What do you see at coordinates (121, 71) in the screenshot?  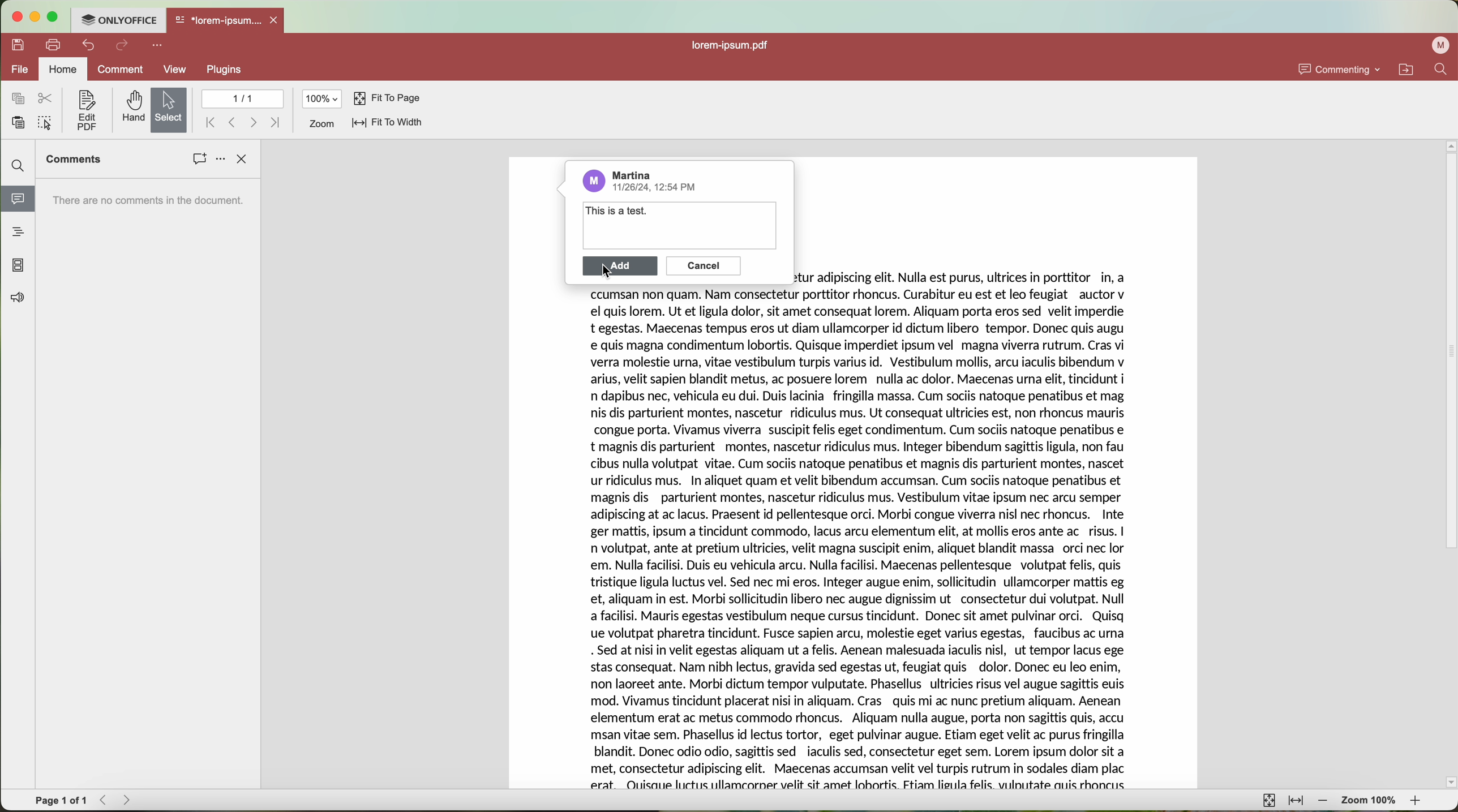 I see `comment` at bounding box center [121, 71].